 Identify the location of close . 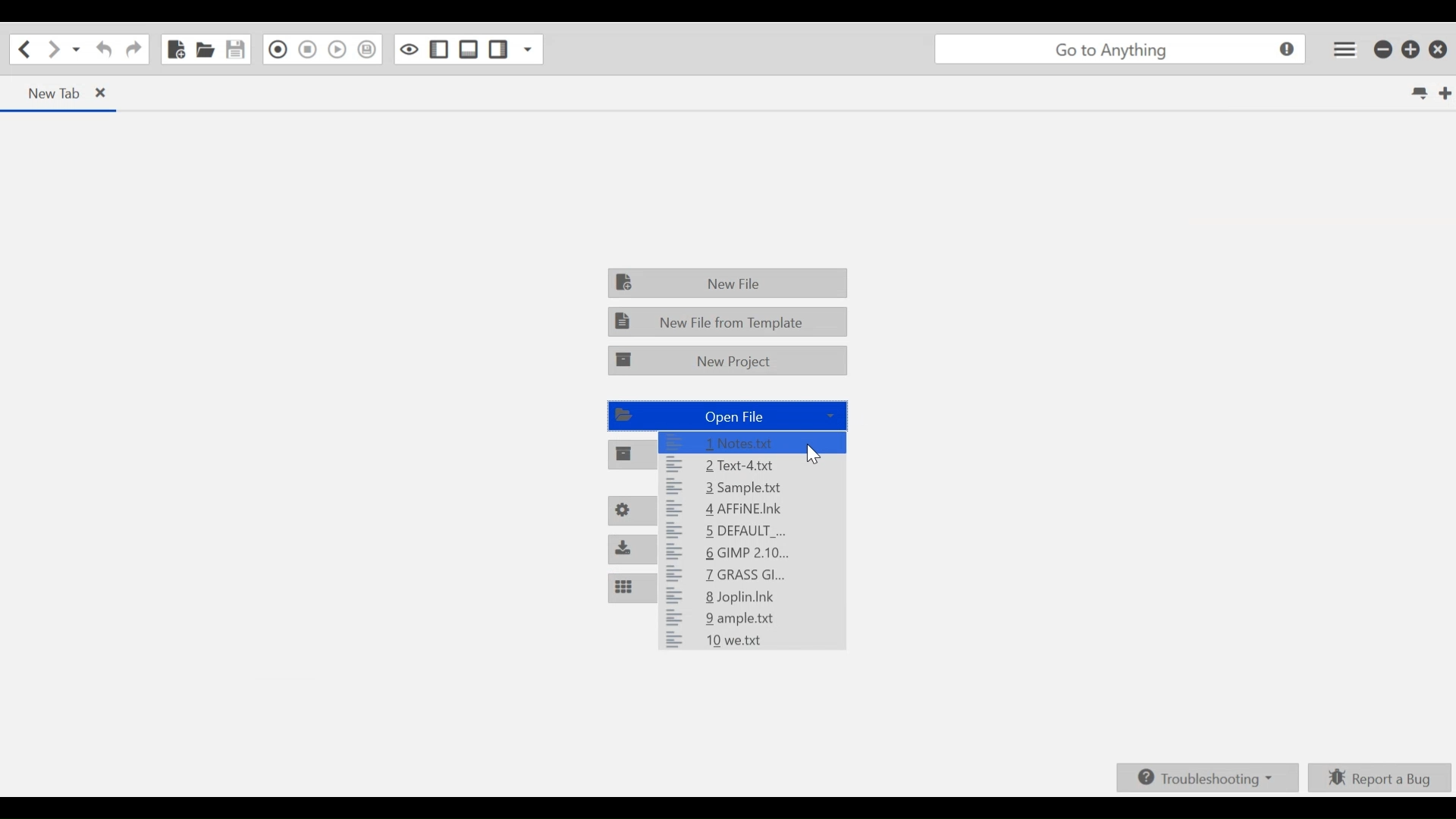
(102, 93).